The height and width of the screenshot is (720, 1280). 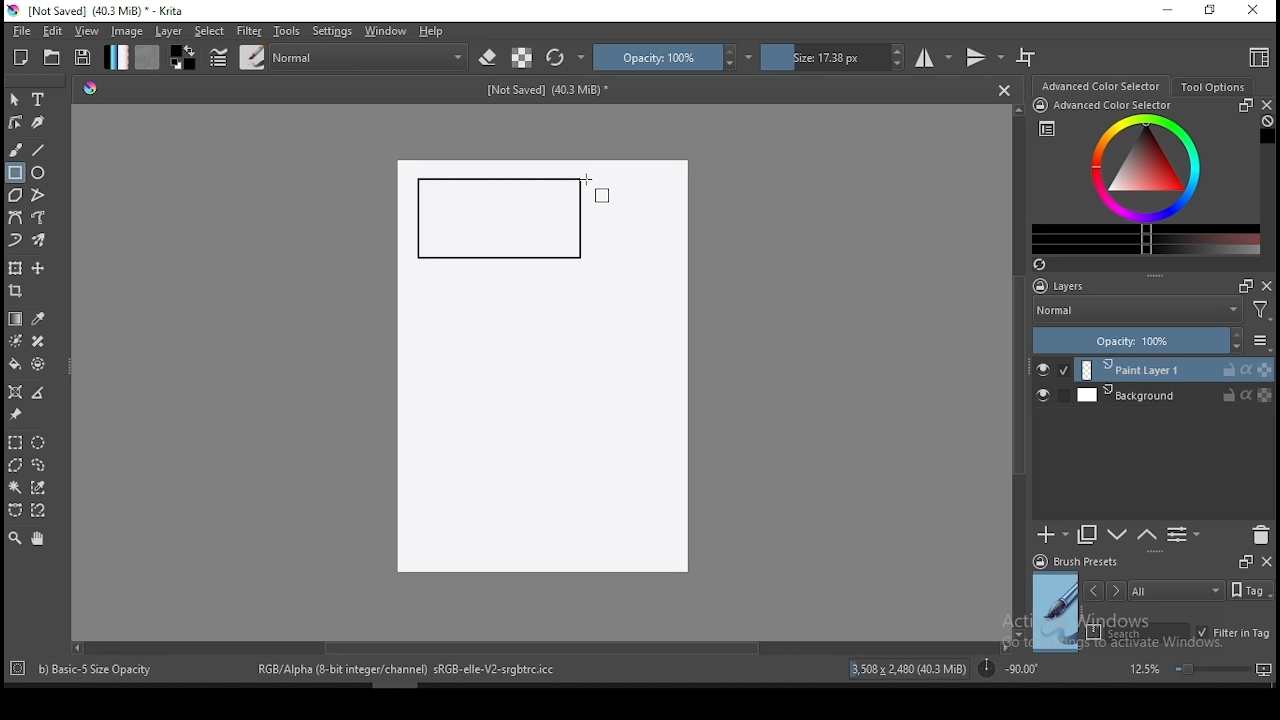 I want to click on text tool, so click(x=39, y=100).